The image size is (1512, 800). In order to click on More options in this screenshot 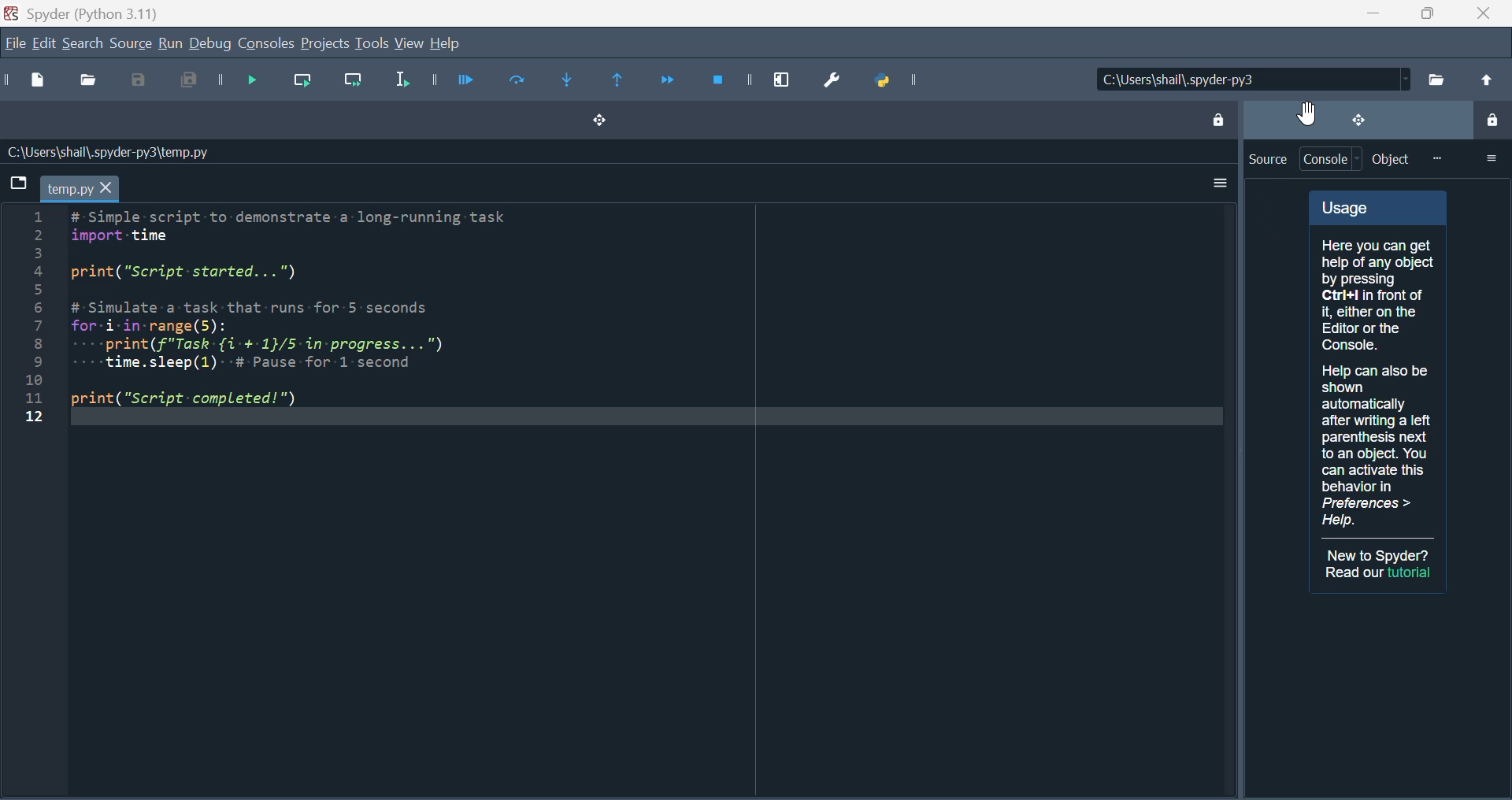, I will do `click(1216, 183)`.